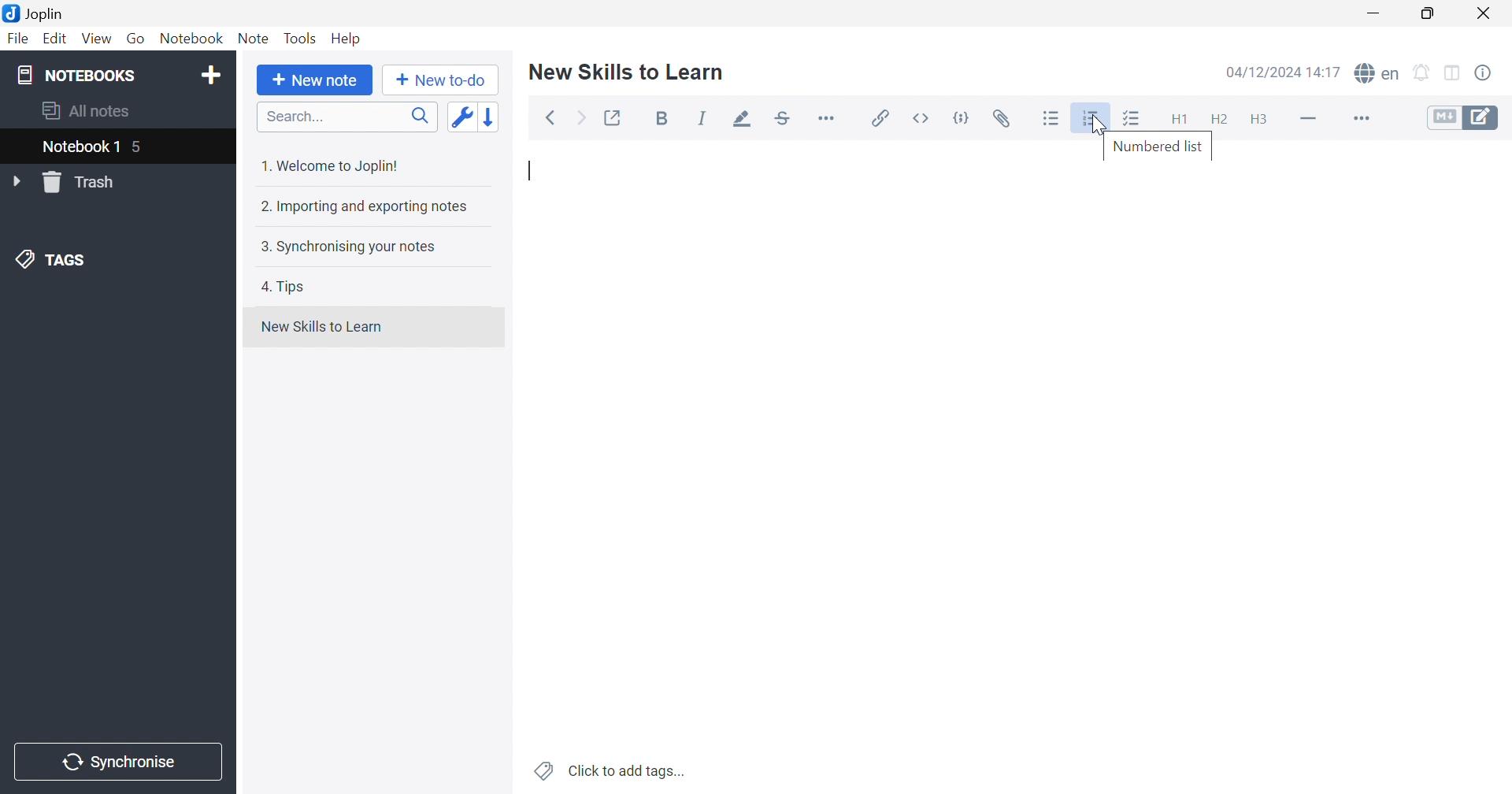  What do you see at coordinates (666, 120) in the screenshot?
I see `Bold` at bounding box center [666, 120].